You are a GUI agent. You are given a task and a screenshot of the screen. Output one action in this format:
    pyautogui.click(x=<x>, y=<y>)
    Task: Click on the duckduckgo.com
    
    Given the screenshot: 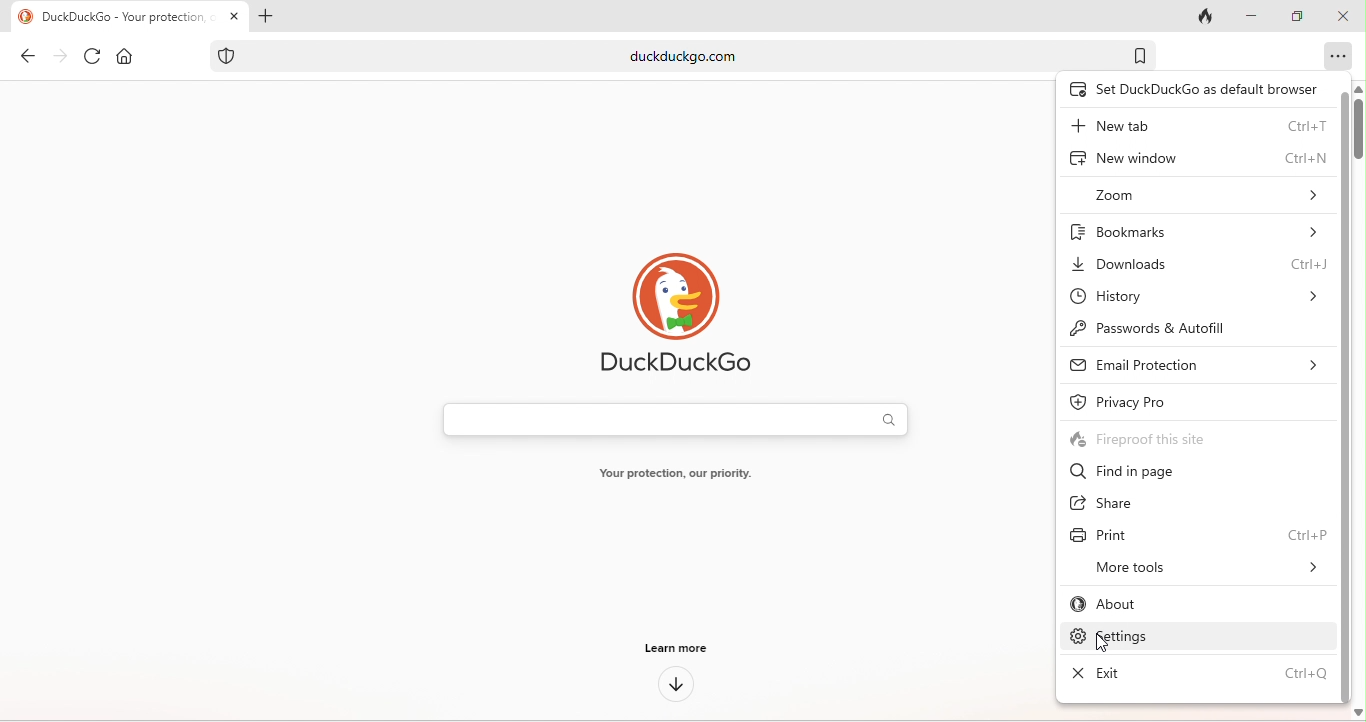 What is the action you would take?
    pyautogui.click(x=682, y=54)
    